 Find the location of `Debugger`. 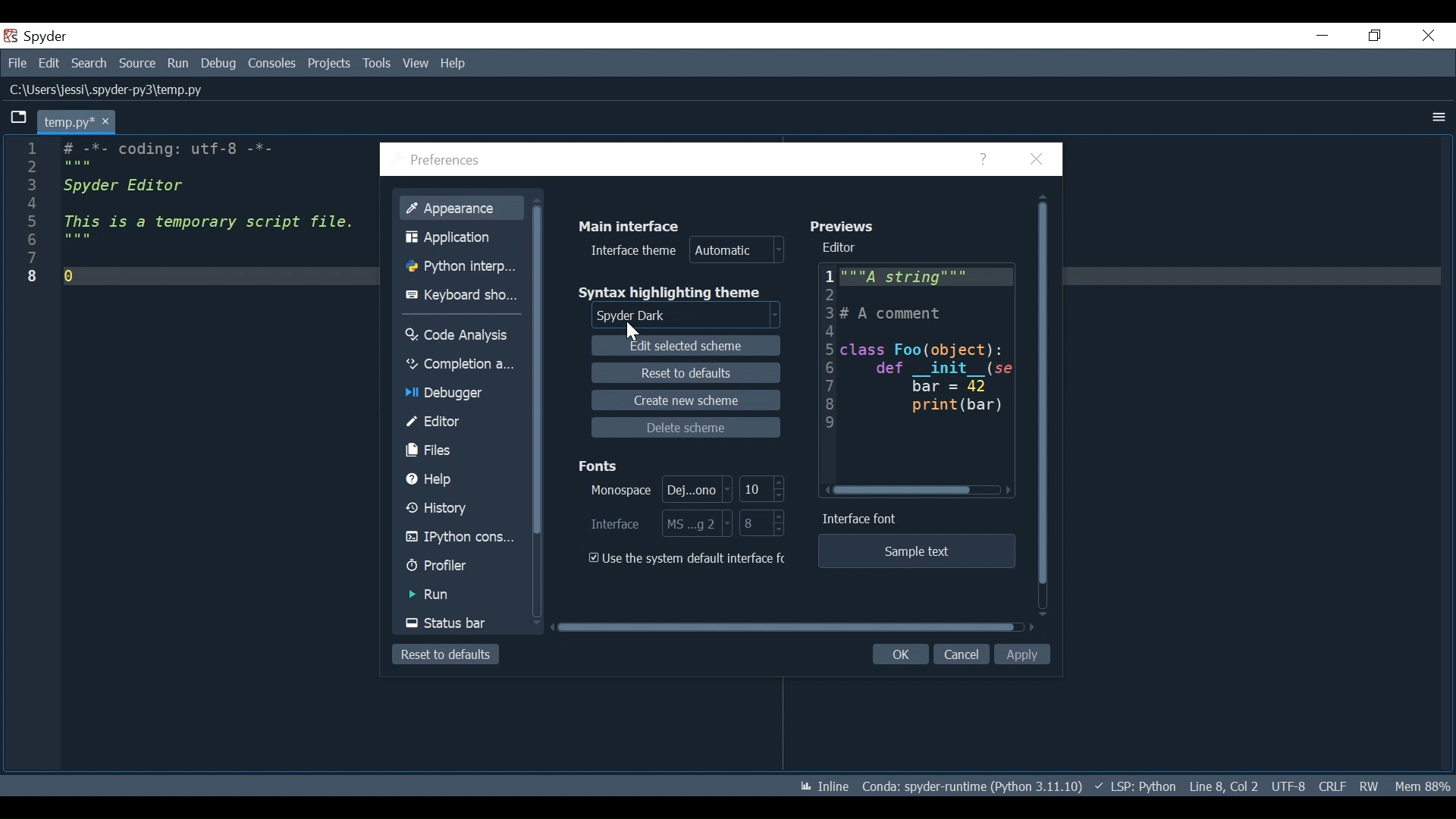

Debugger is located at coordinates (462, 394).